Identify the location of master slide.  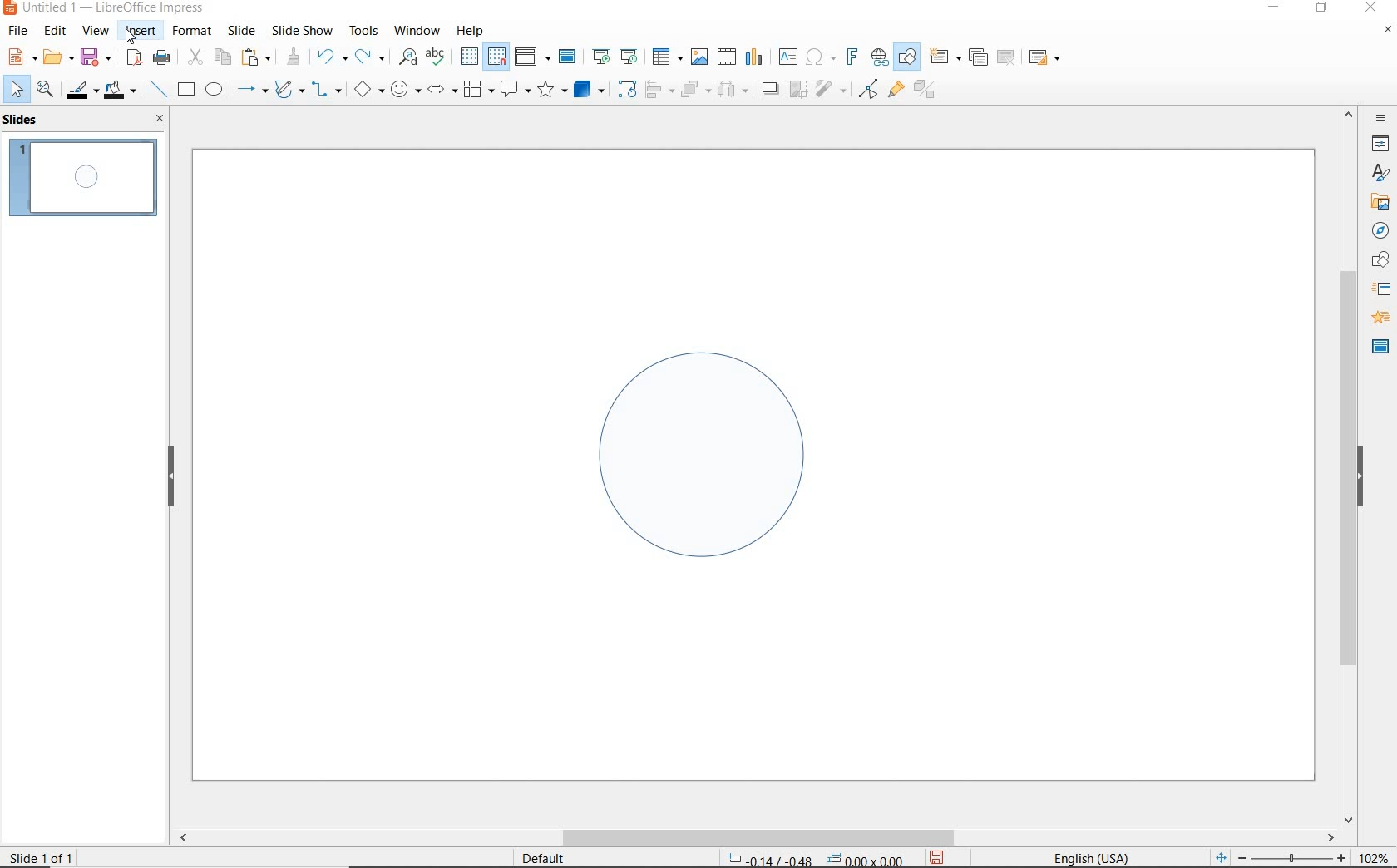
(570, 57).